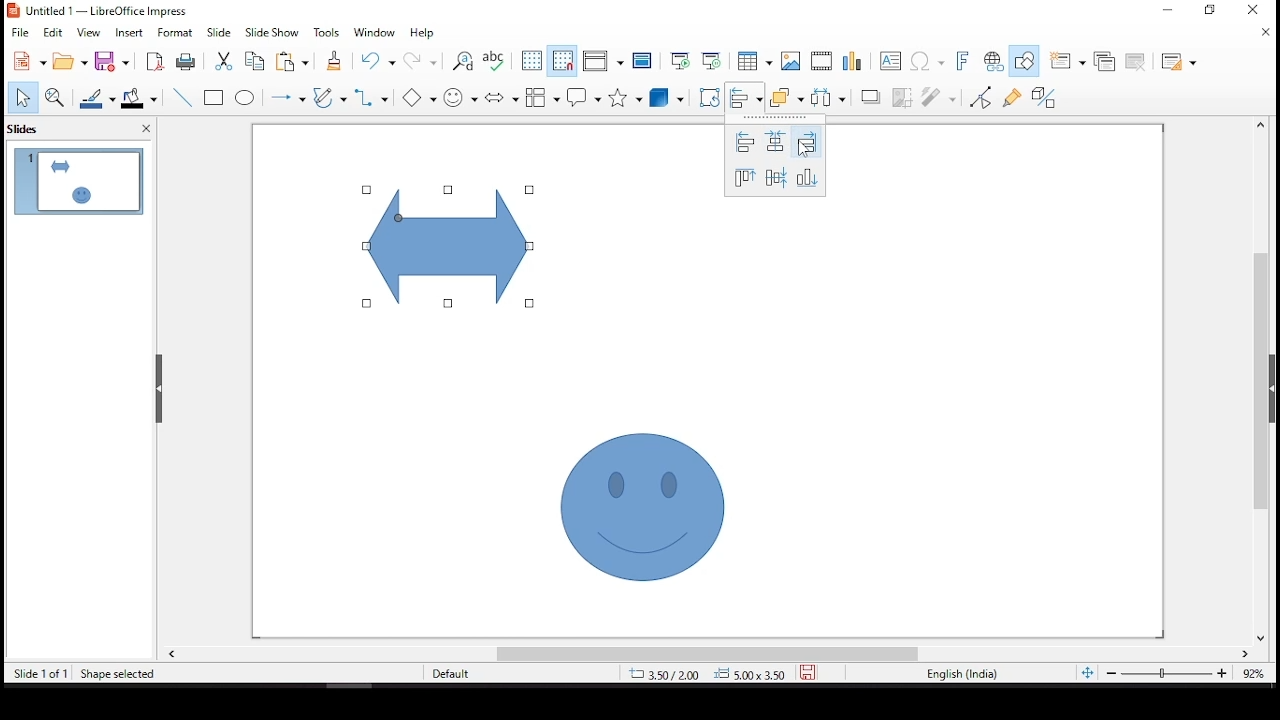 Image resolution: width=1280 pixels, height=720 pixels. What do you see at coordinates (291, 97) in the screenshot?
I see `lines and arrows` at bounding box center [291, 97].